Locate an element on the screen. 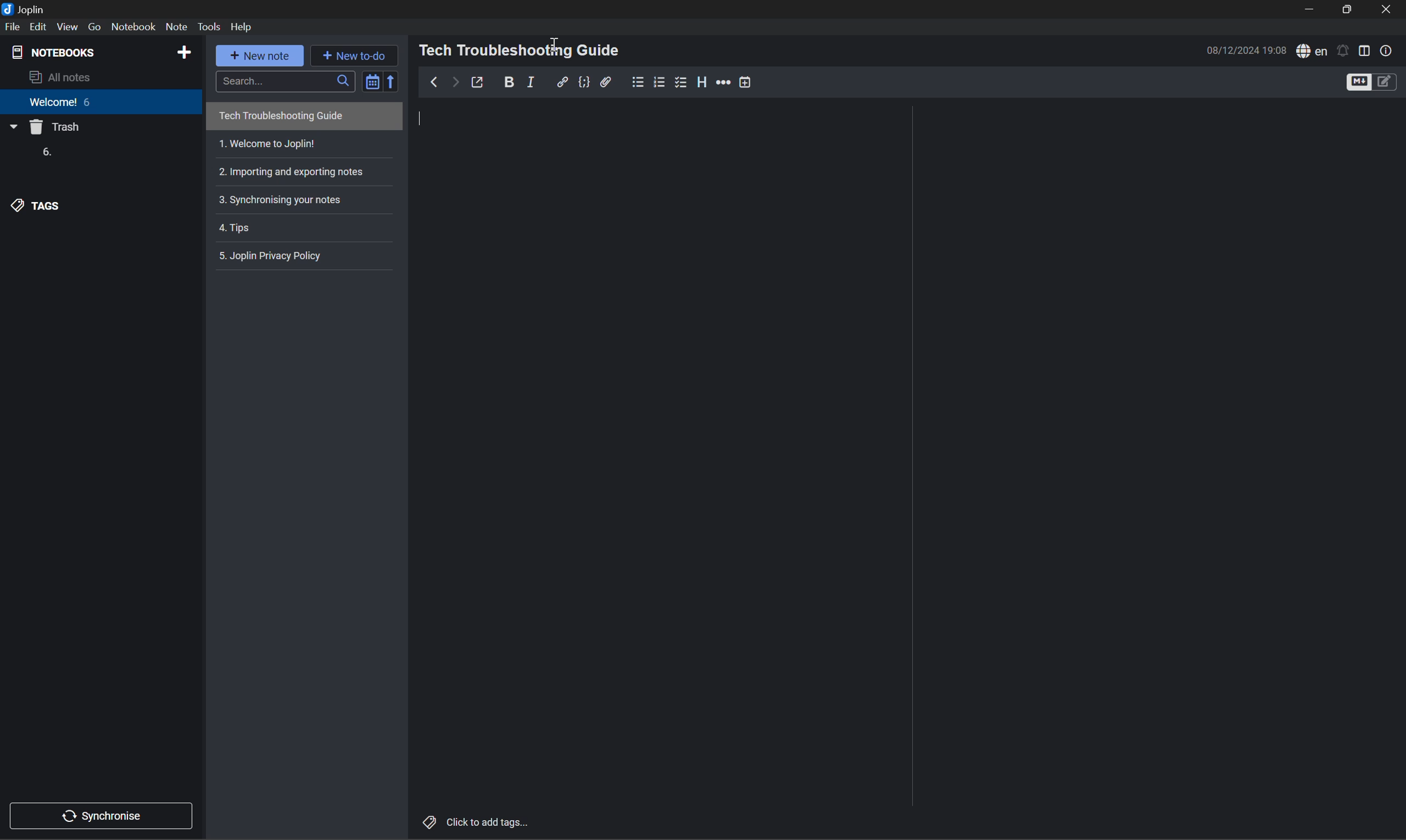  New note is located at coordinates (263, 57).